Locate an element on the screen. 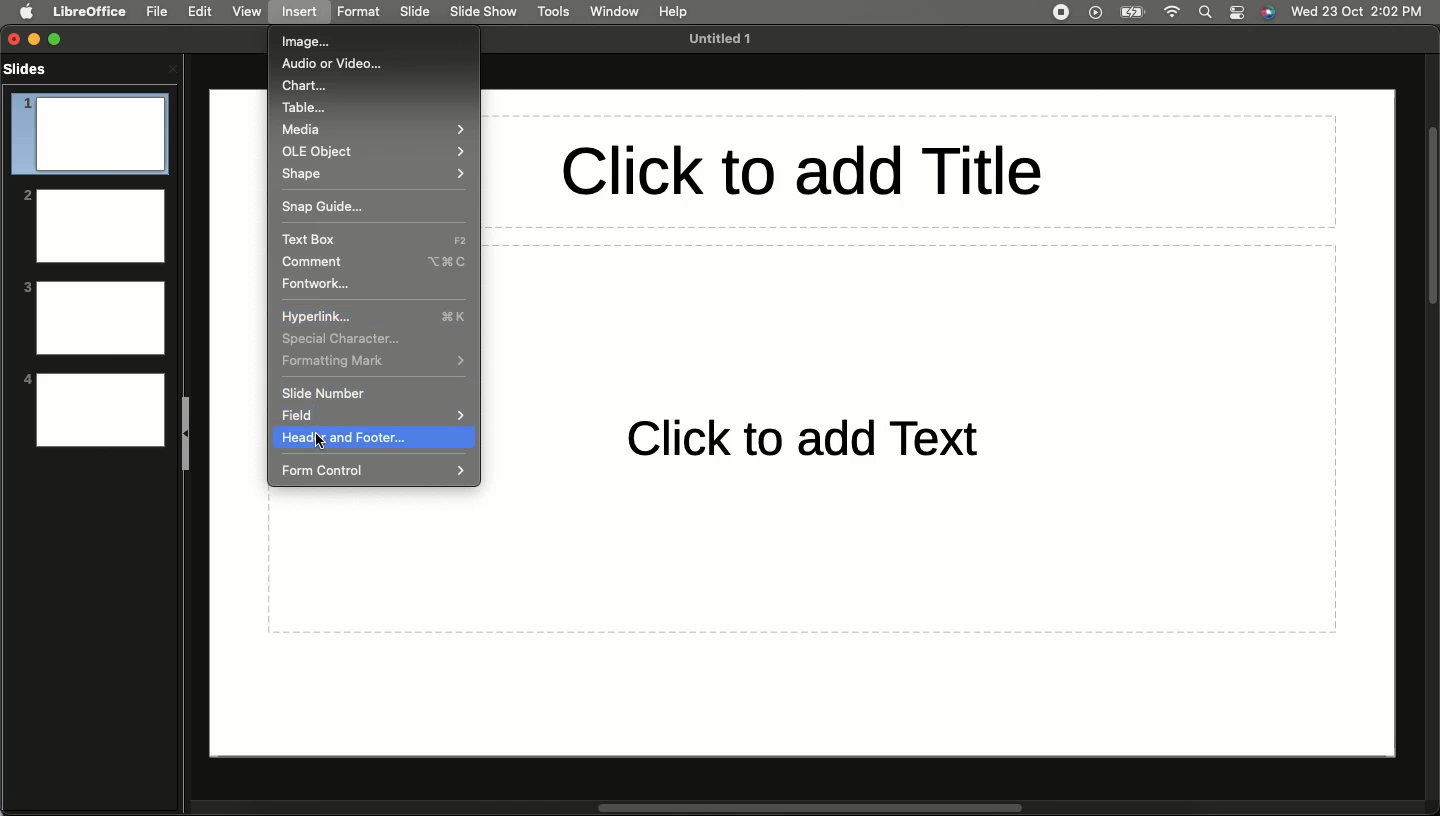 The height and width of the screenshot is (816, 1440). 1 is located at coordinates (89, 134).